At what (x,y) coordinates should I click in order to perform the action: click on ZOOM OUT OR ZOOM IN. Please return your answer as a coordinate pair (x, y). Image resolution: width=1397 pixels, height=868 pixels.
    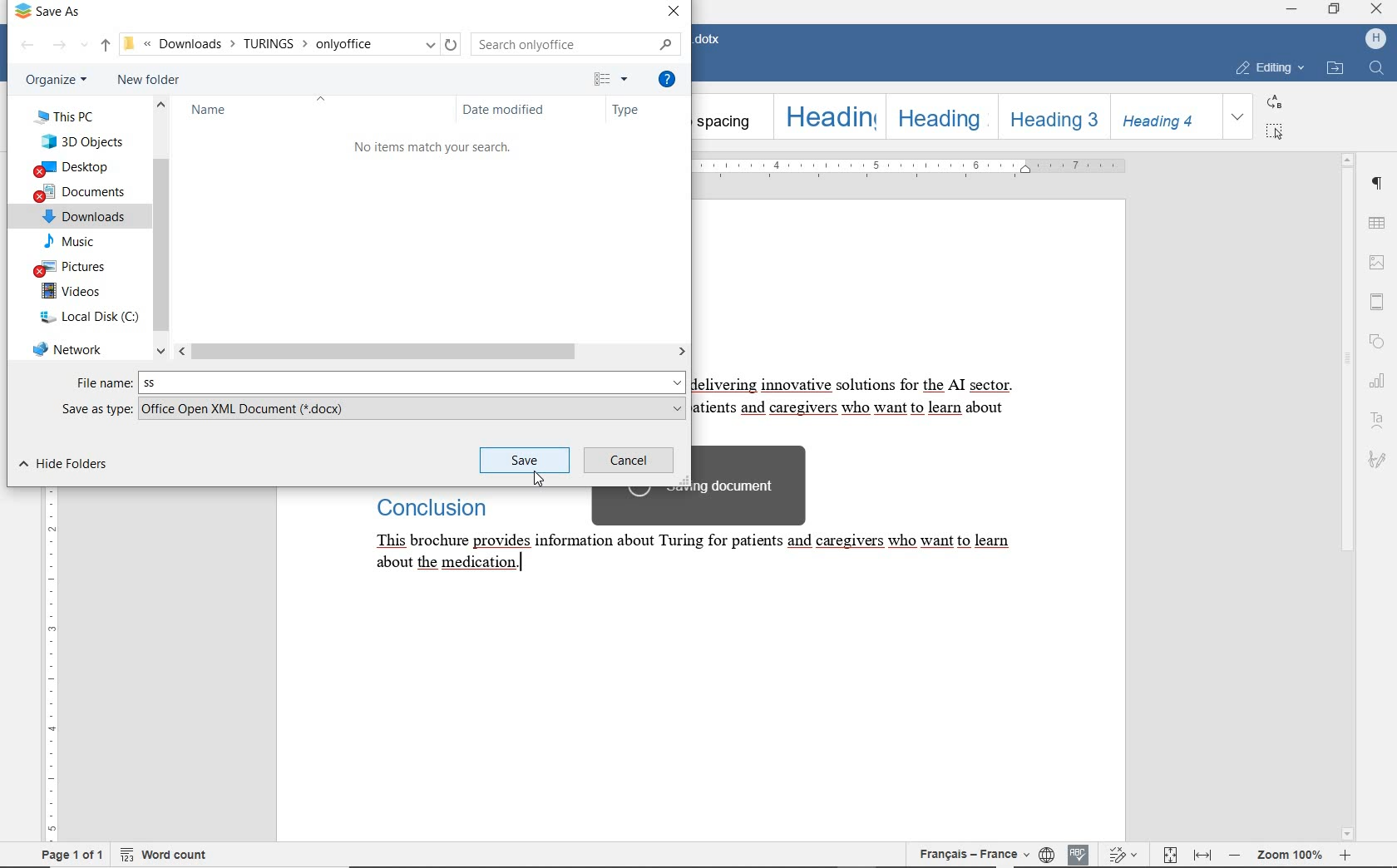
    Looking at the image, I should click on (1292, 854).